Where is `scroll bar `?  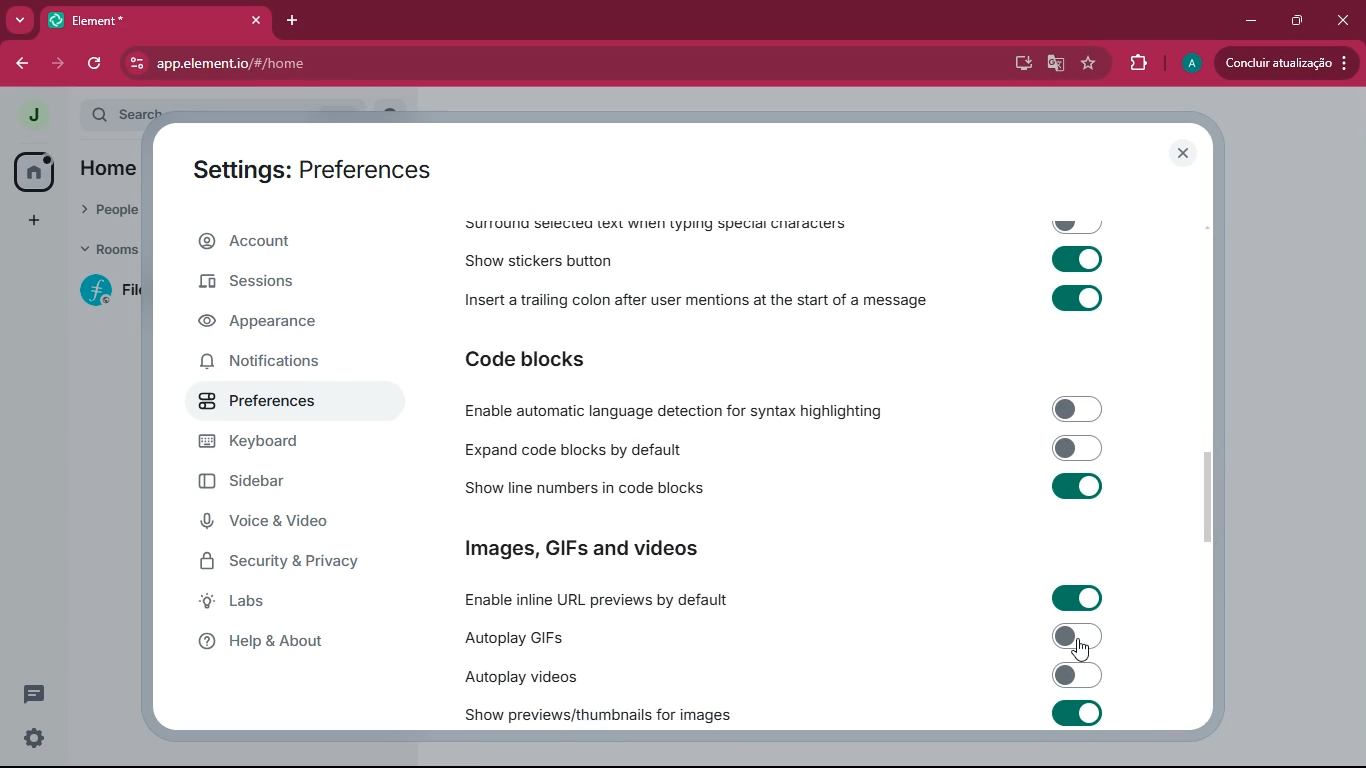 scroll bar  is located at coordinates (1213, 492).